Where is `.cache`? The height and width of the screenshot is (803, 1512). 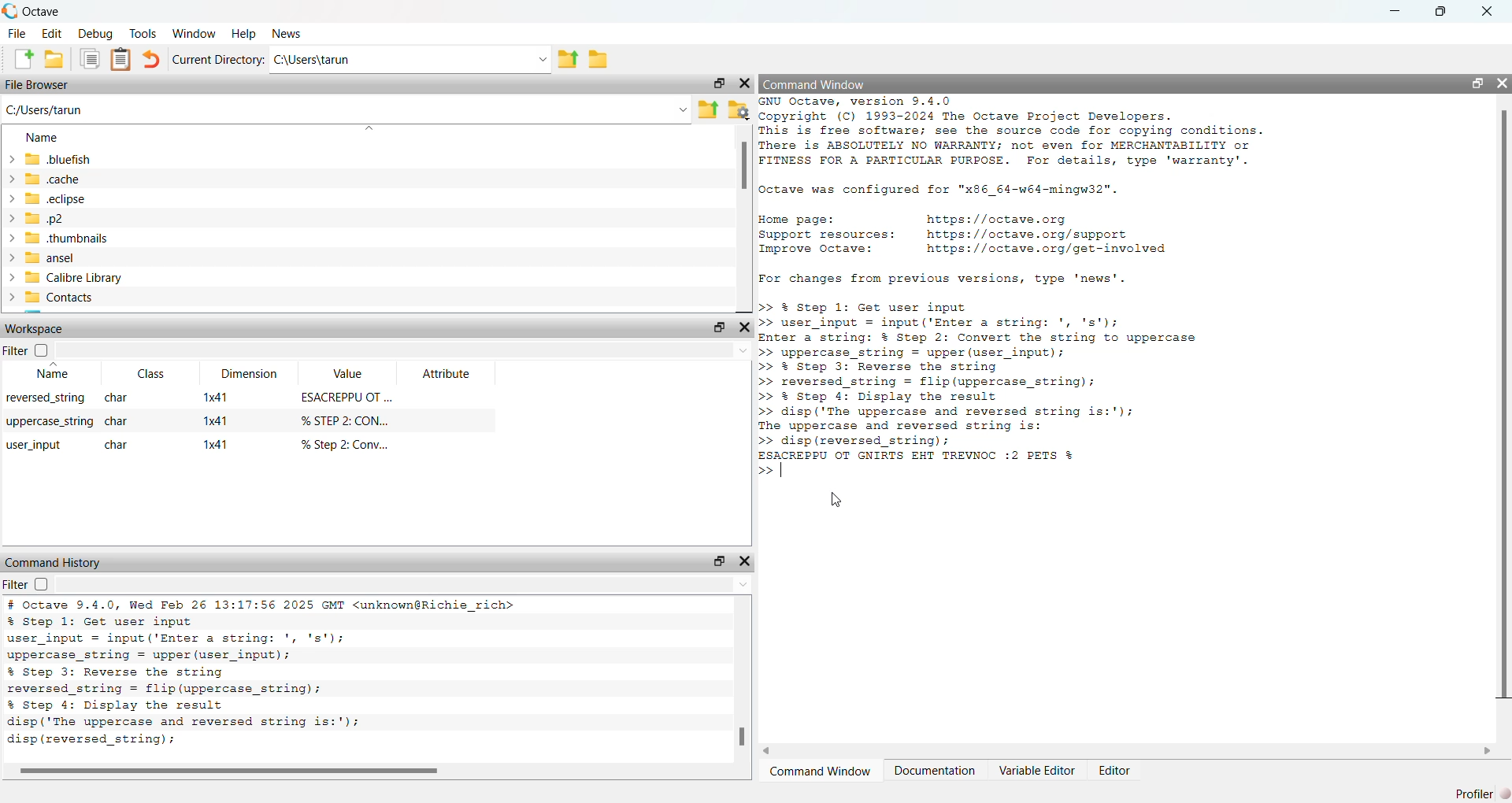
.cache is located at coordinates (80, 179).